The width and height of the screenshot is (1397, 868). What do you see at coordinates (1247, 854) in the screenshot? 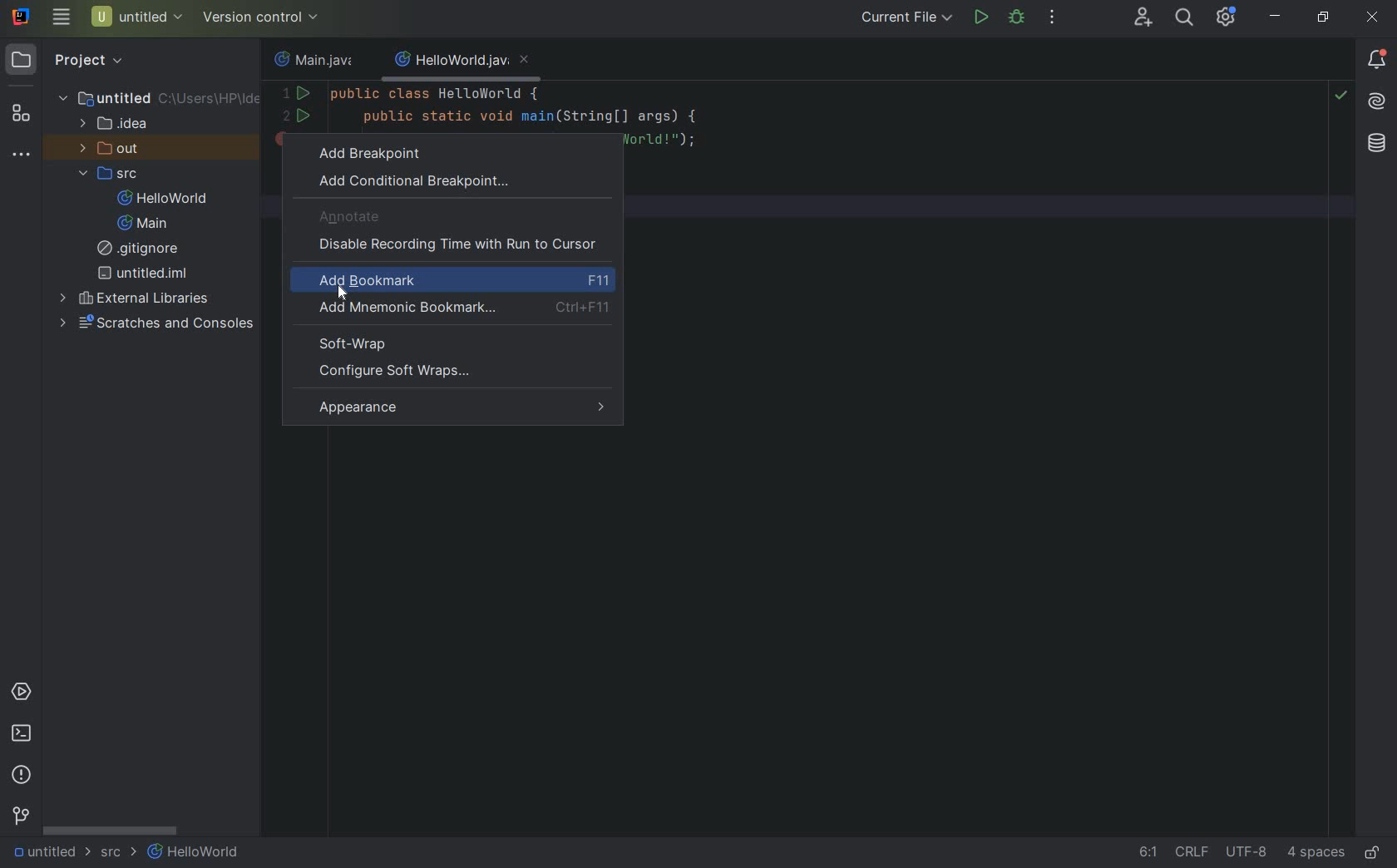
I see `file encoding` at bounding box center [1247, 854].